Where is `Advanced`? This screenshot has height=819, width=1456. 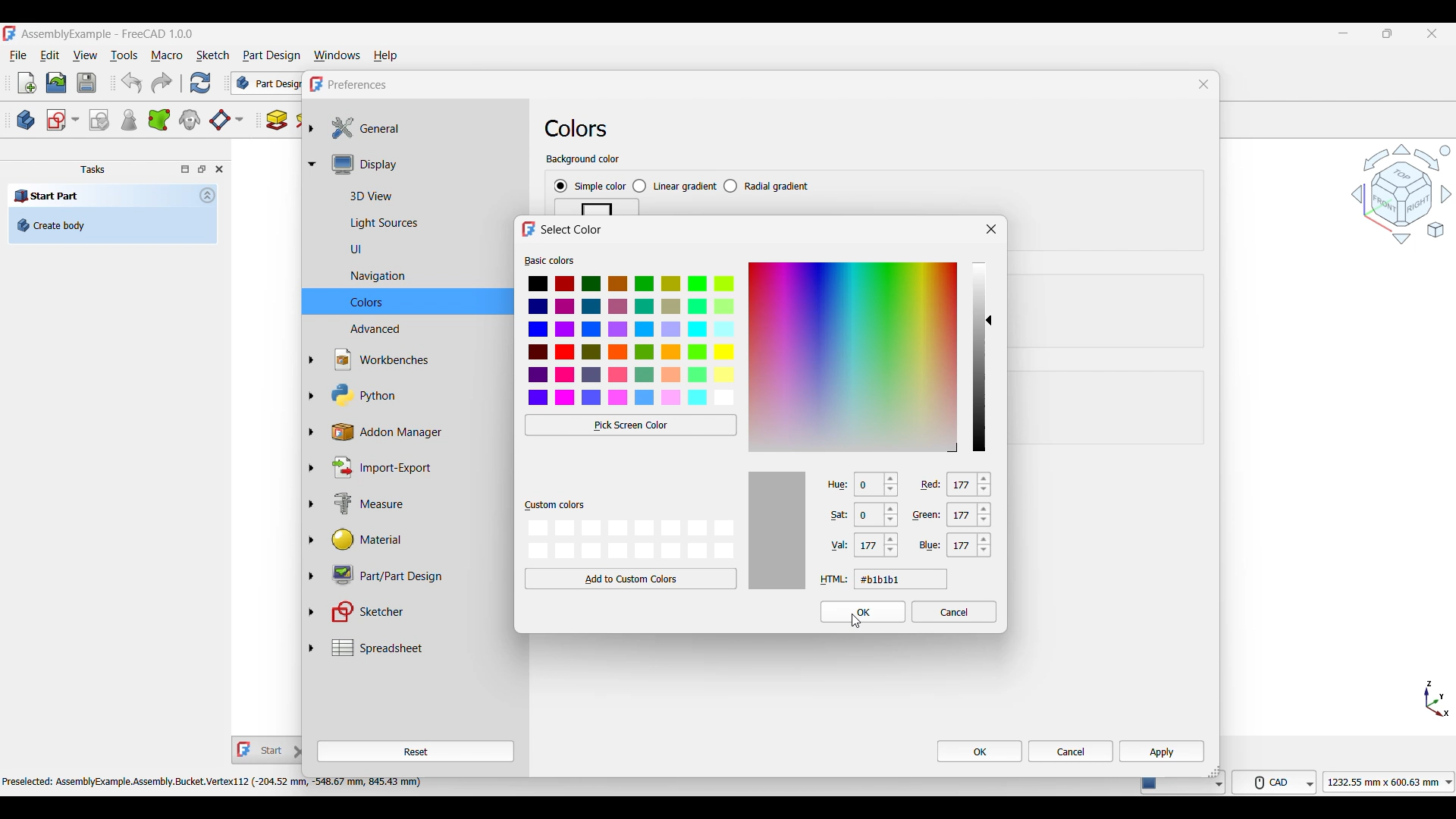 Advanced is located at coordinates (416, 328).